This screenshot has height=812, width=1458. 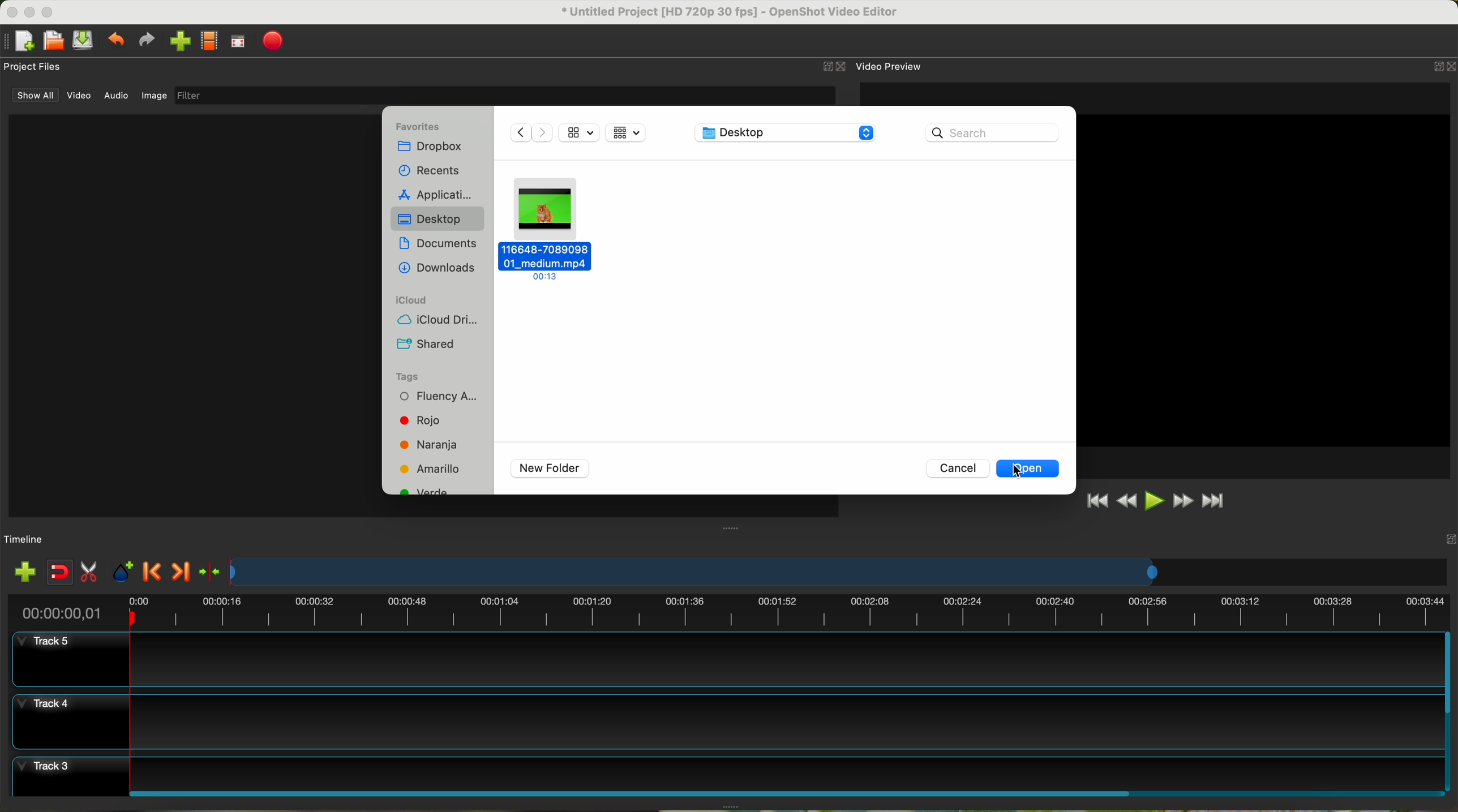 What do you see at coordinates (1449, 711) in the screenshot?
I see `scroll bar` at bounding box center [1449, 711].